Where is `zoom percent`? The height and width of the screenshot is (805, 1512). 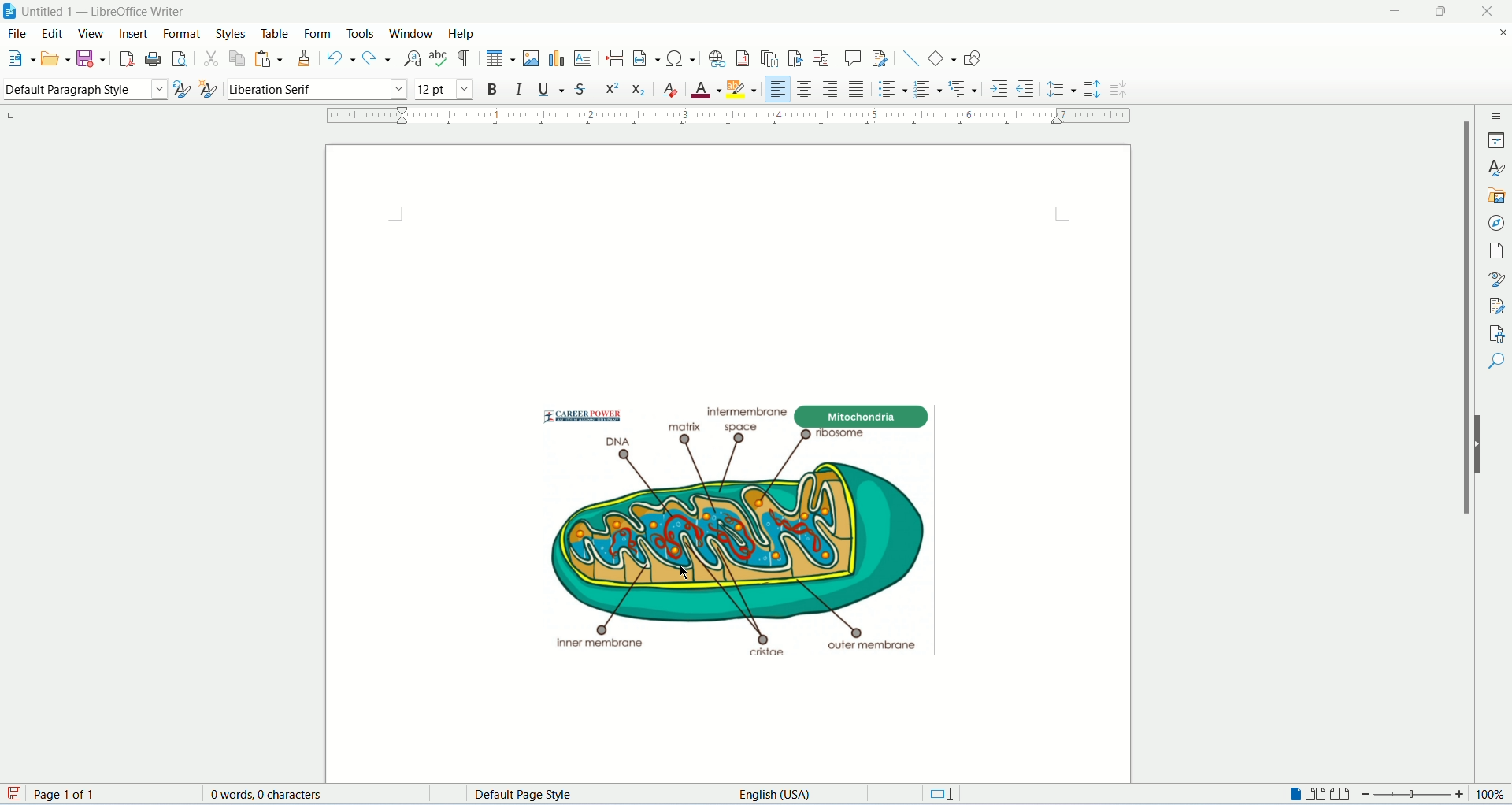
zoom percent is located at coordinates (1490, 796).